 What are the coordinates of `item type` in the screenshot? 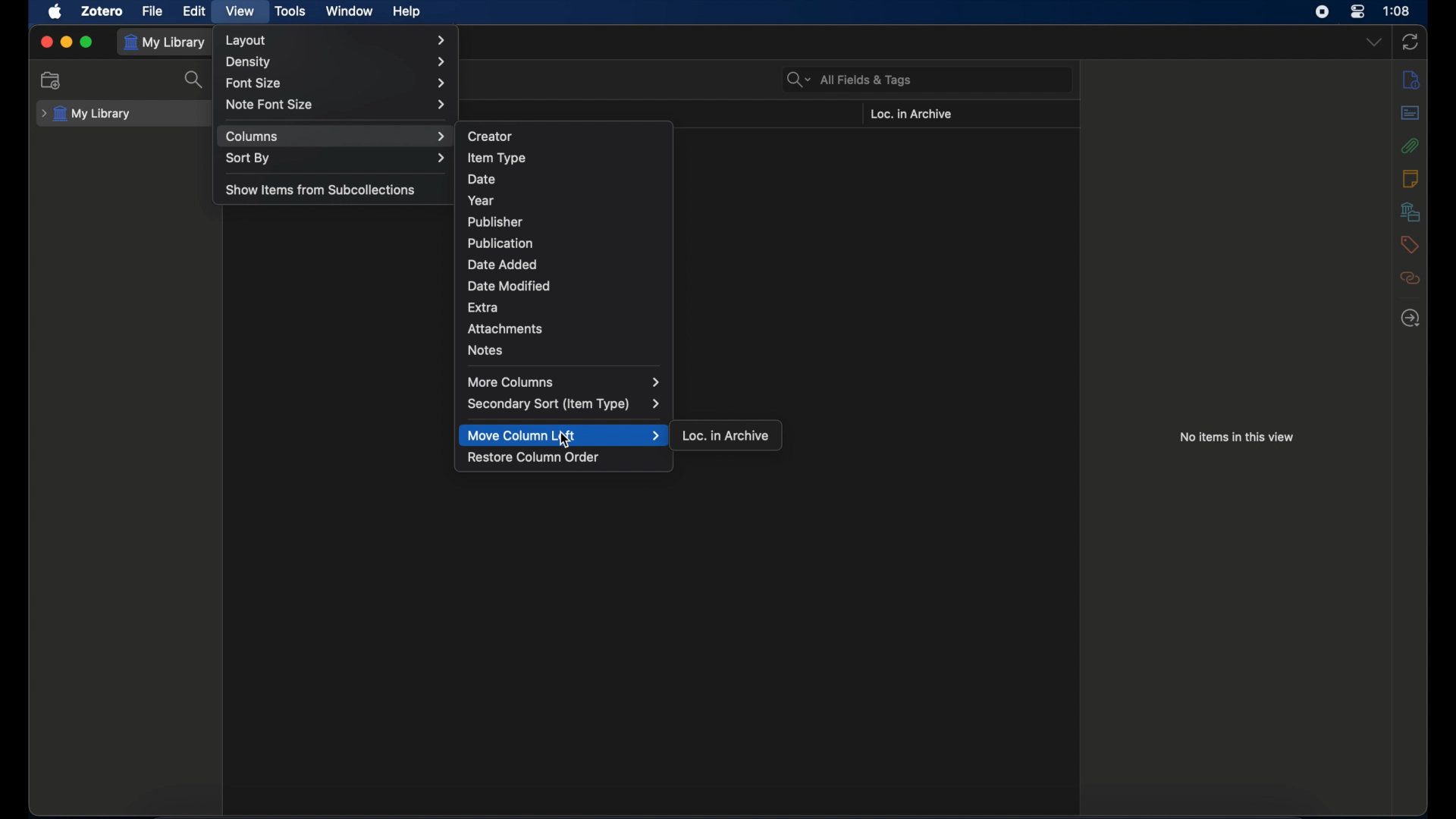 It's located at (496, 158).